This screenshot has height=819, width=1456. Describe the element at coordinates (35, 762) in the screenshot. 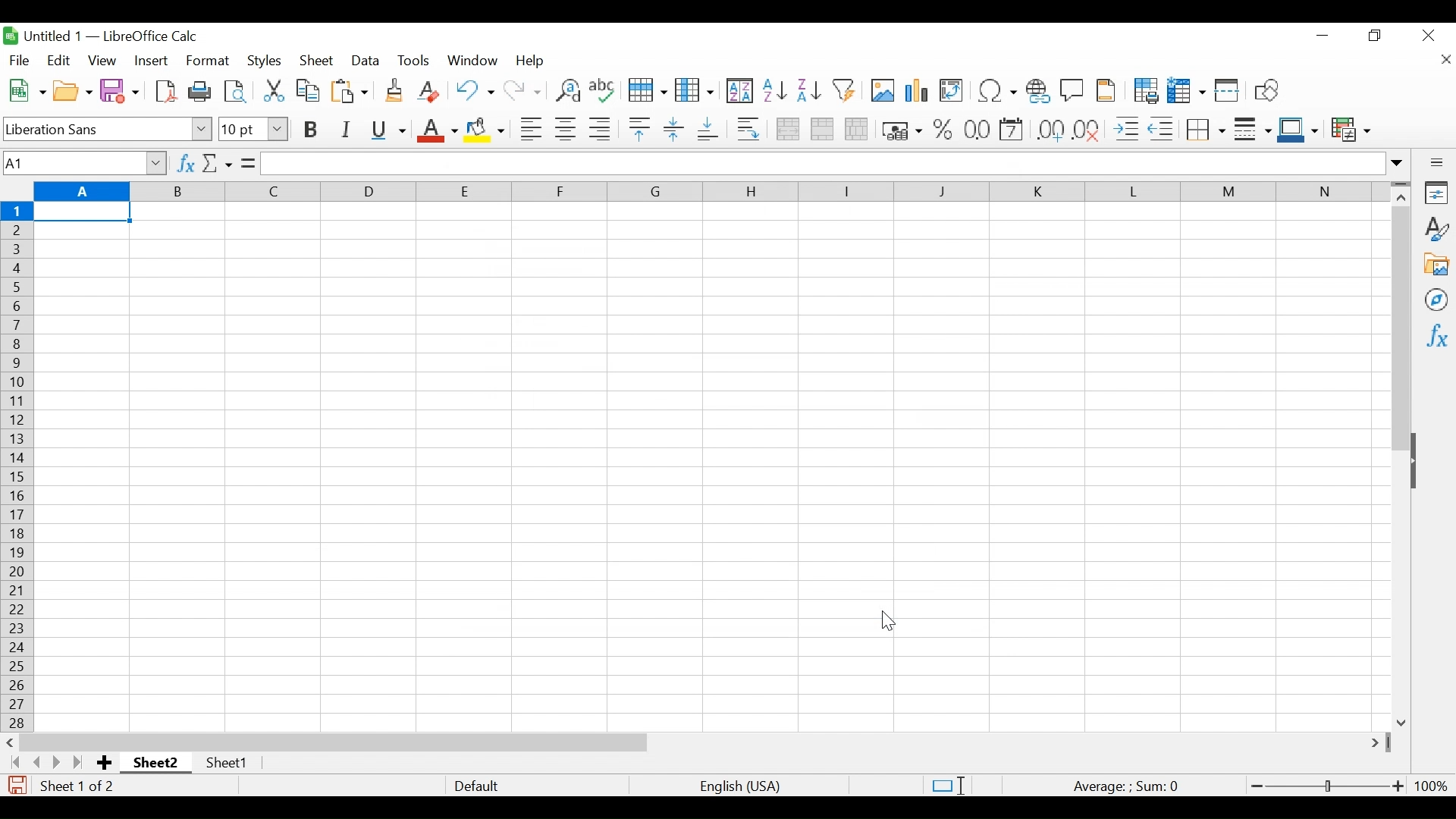

I see `Scroll to the previous sheet` at that location.